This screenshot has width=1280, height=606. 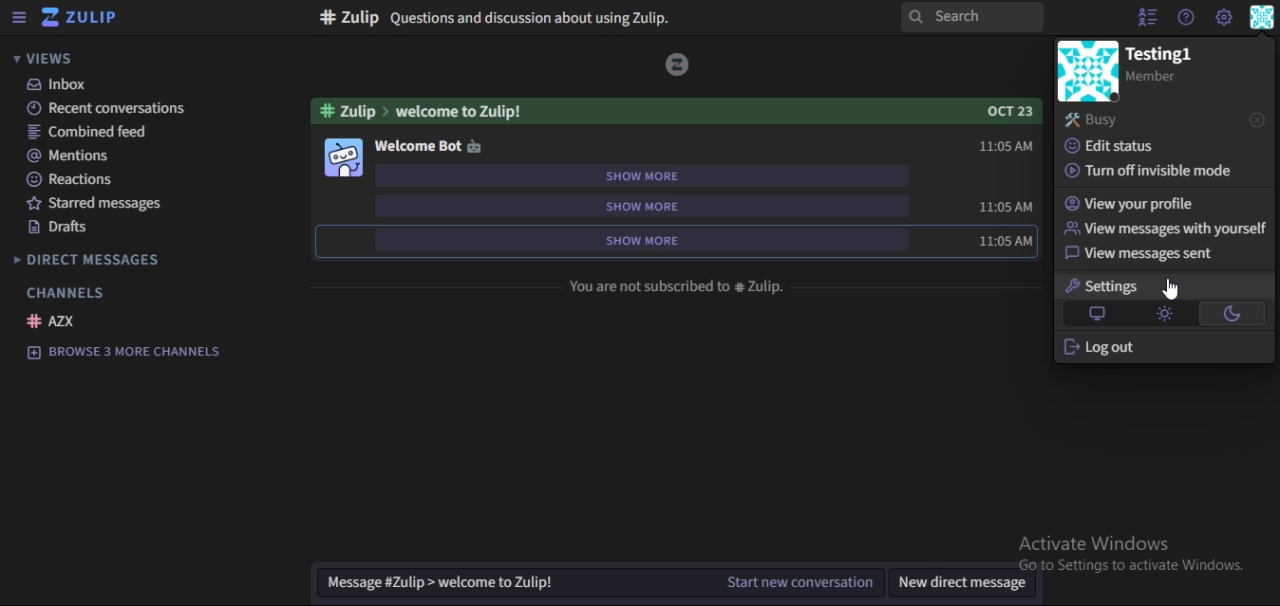 I want to click on personal menu, so click(x=1263, y=18).